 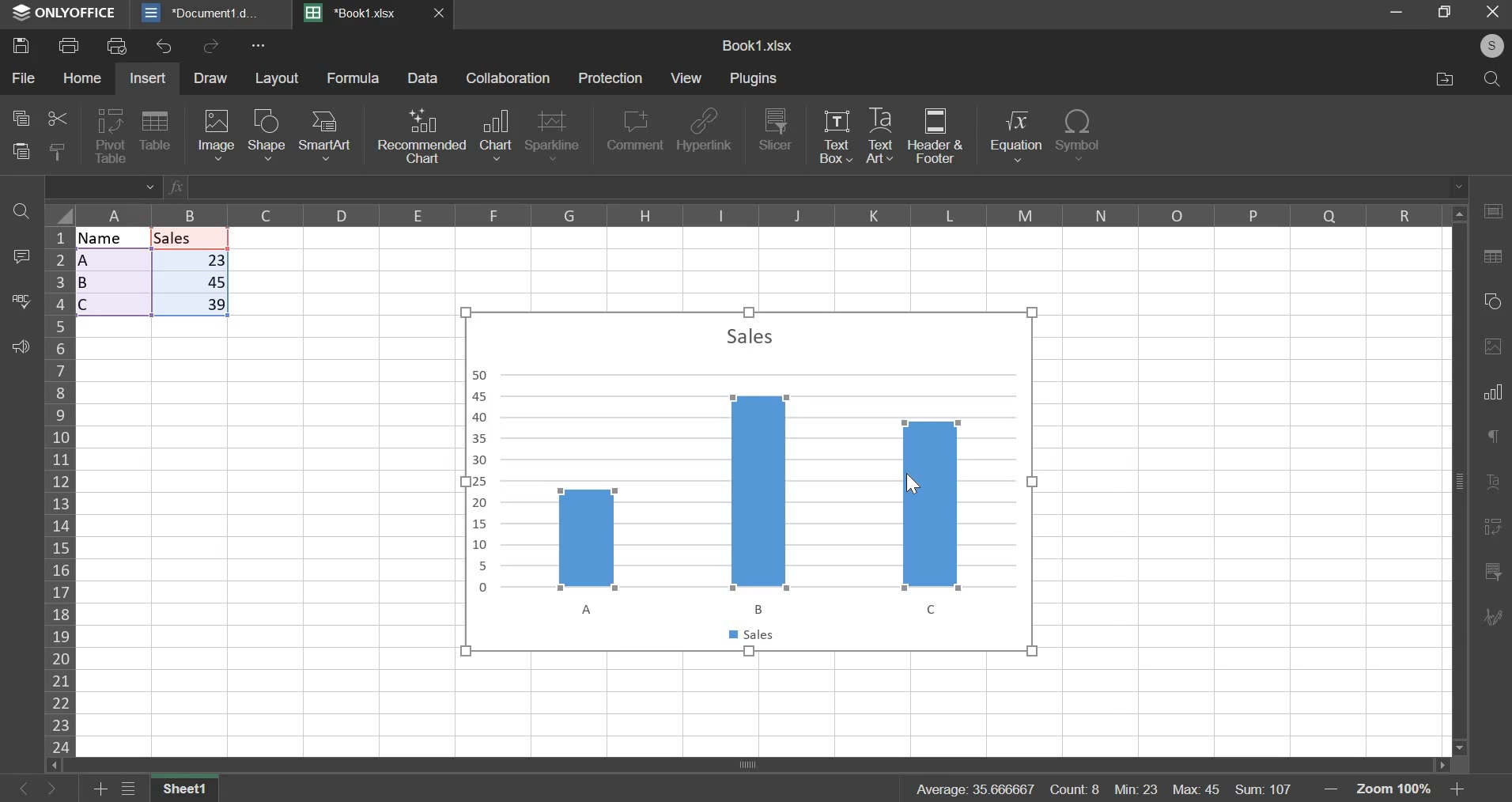 What do you see at coordinates (277, 78) in the screenshot?
I see `layout` at bounding box center [277, 78].